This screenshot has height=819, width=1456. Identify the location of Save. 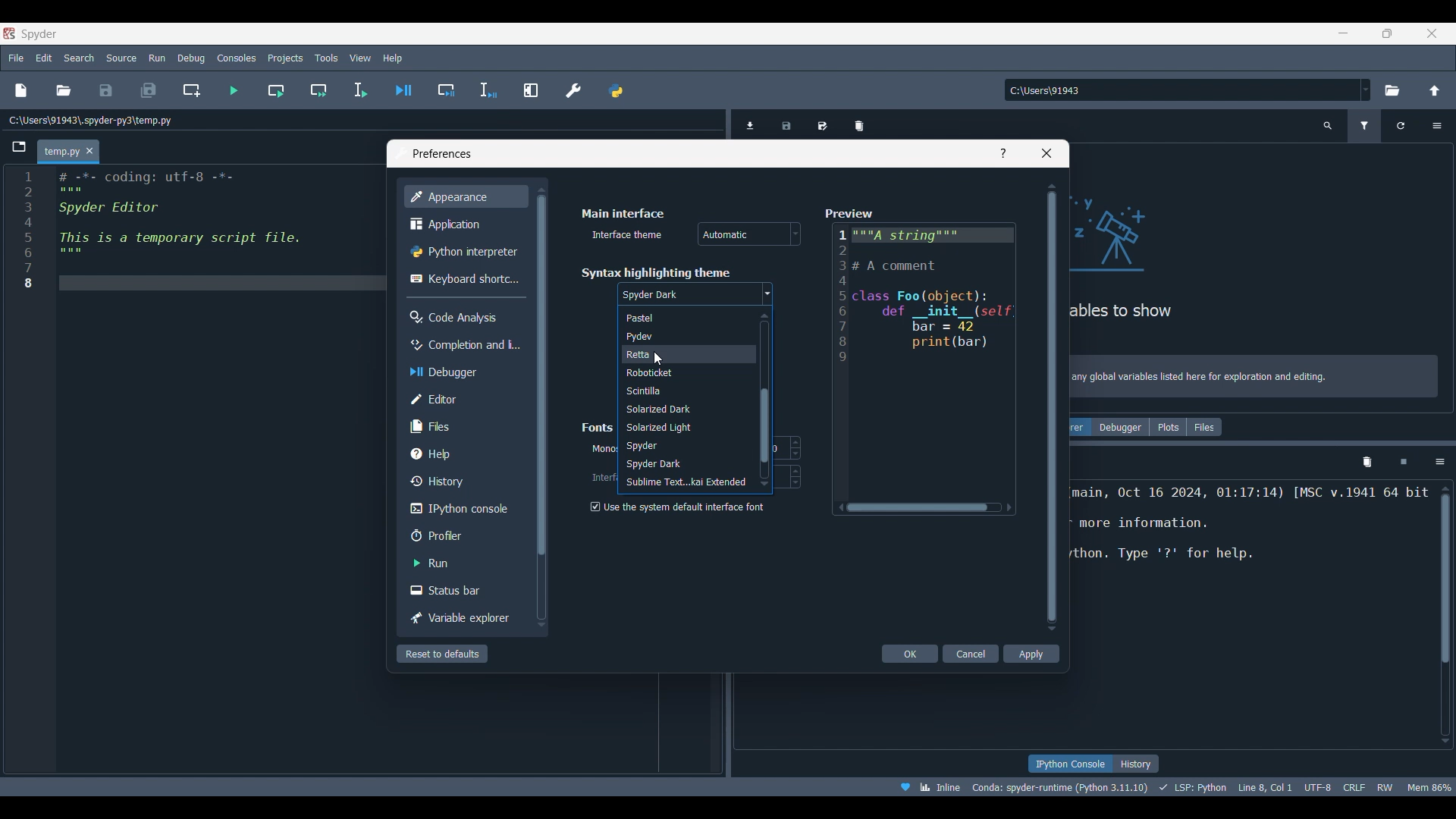
(105, 90).